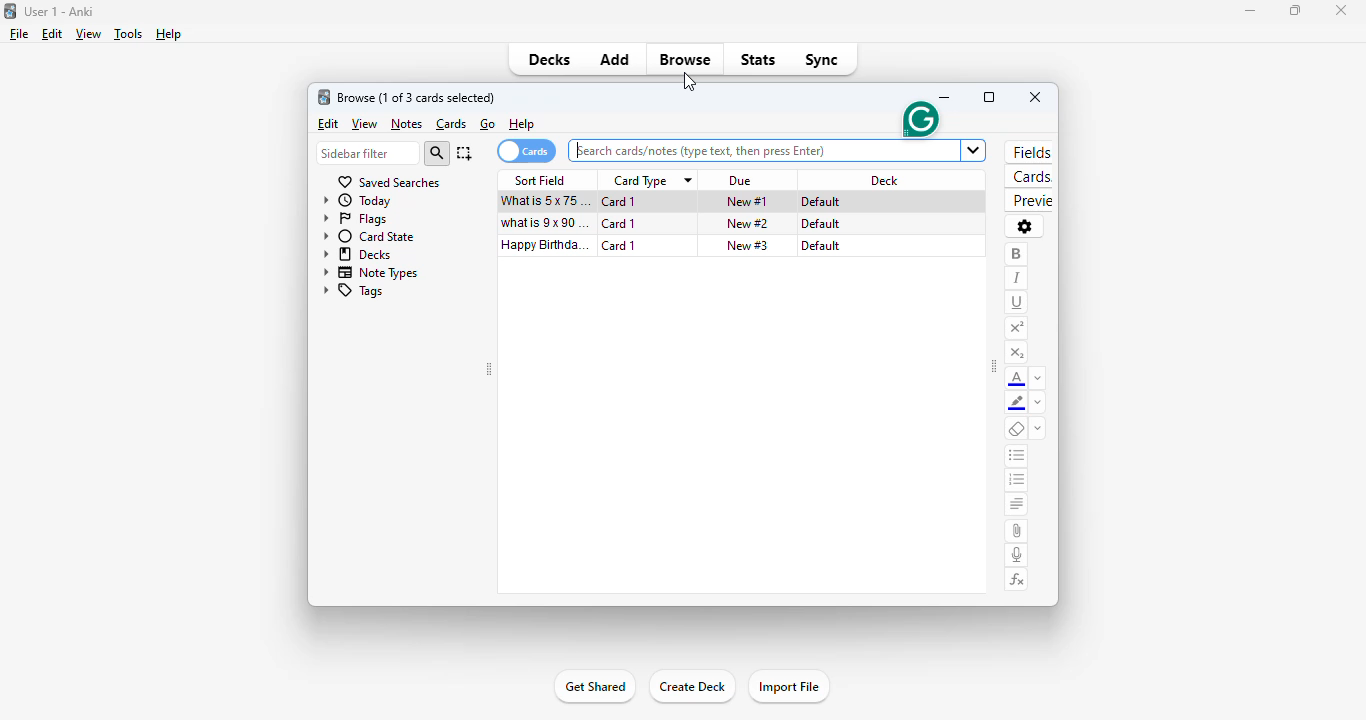 The width and height of the screenshot is (1366, 720). What do you see at coordinates (358, 201) in the screenshot?
I see `today` at bounding box center [358, 201].